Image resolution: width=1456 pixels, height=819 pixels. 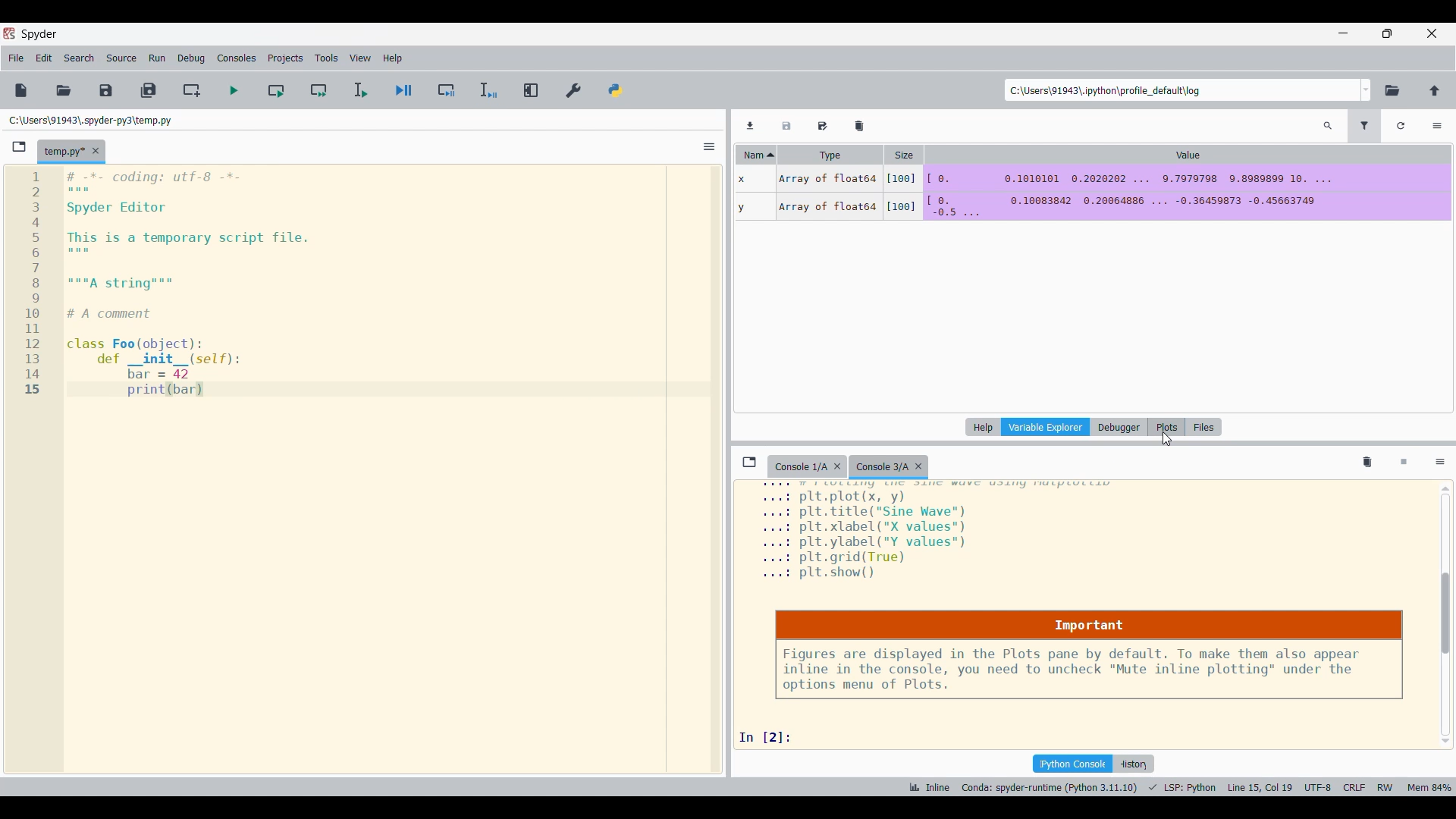 I want to click on File menu , so click(x=16, y=58).